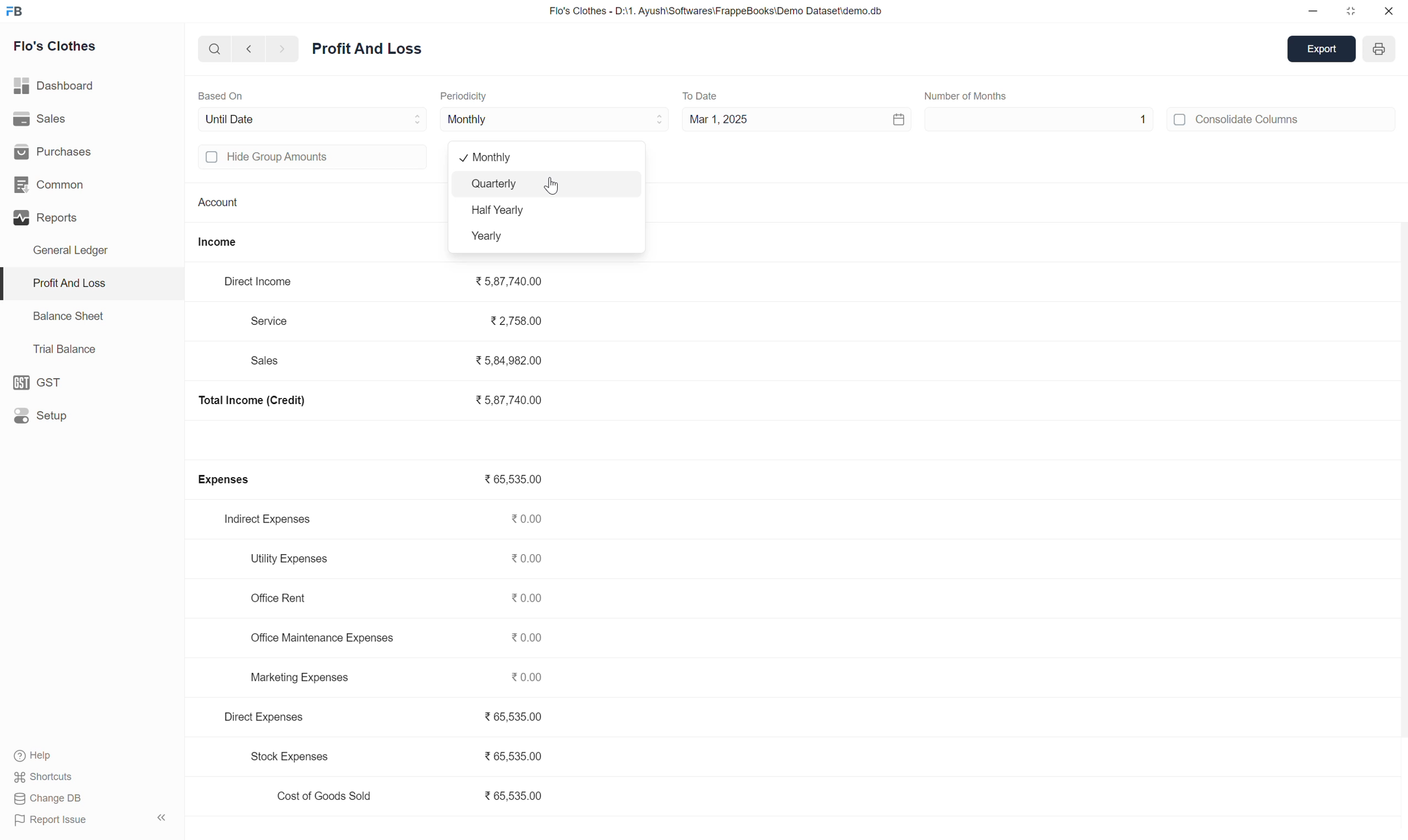 Image resolution: width=1408 pixels, height=840 pixels. What do you see at coordinates (1311, 12) in the screenshot?
I see `minimize` at bounding box center [1311, 12].